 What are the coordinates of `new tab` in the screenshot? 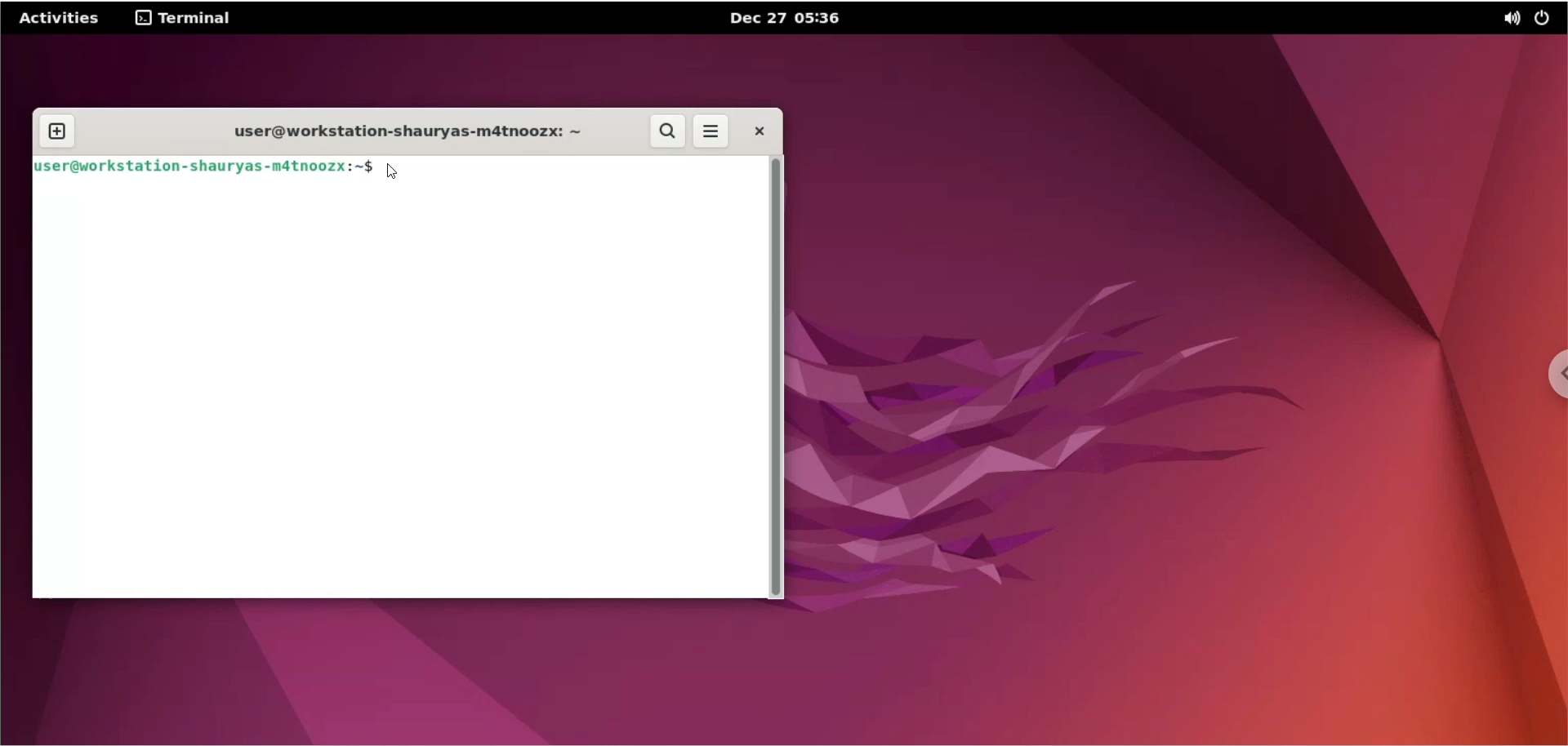 It's located at (56, 132).